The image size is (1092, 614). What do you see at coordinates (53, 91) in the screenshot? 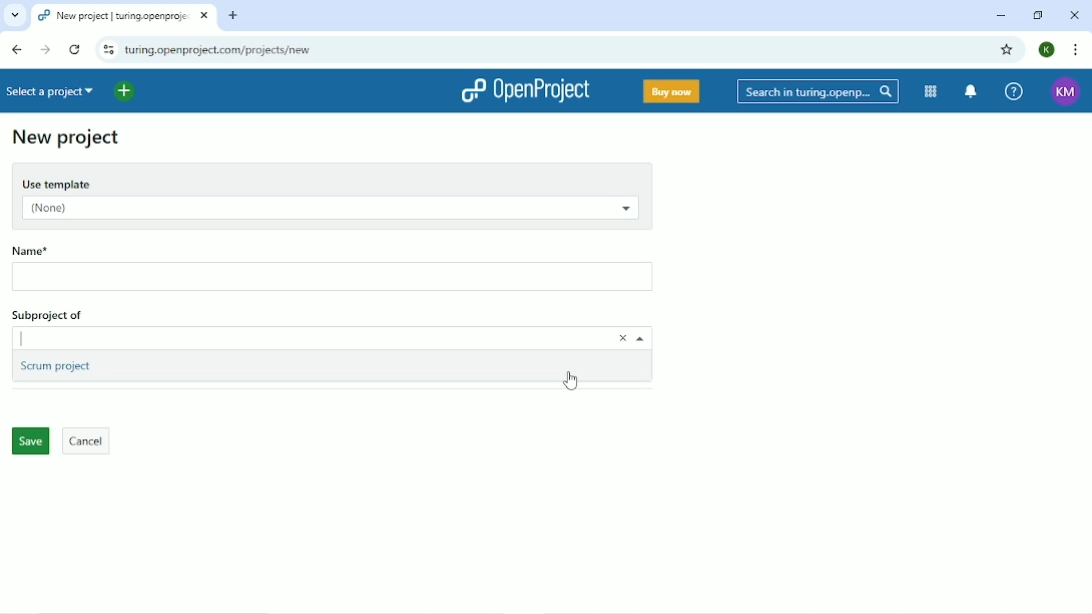
I see `Select a project` at bounding box center [53, 91].